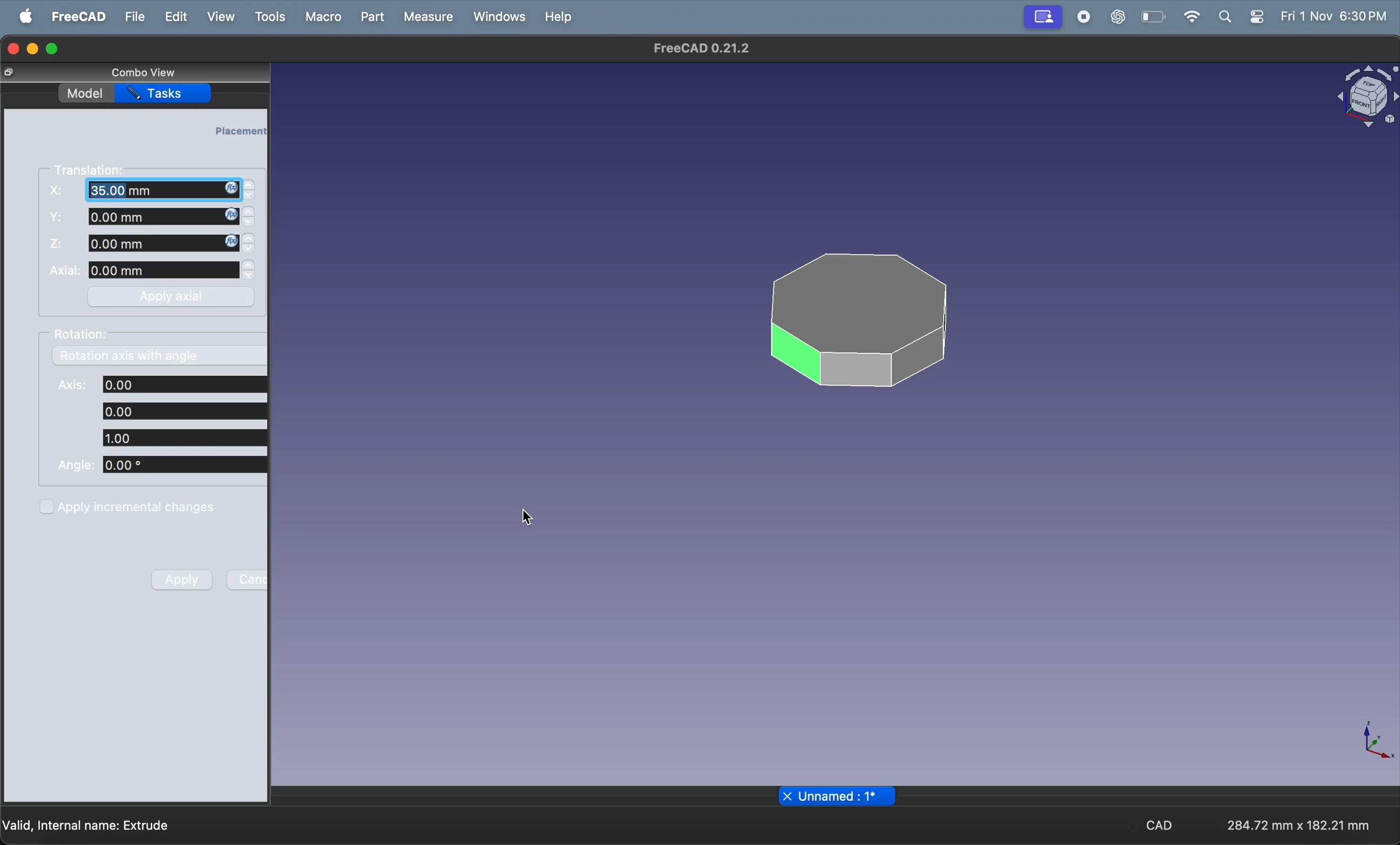 The width and height of the screenshot is (1400, 845). What do you see at coordinates (174, 296) in the screenshot?
I see `Apply axial` at bounding box center [174, 296].